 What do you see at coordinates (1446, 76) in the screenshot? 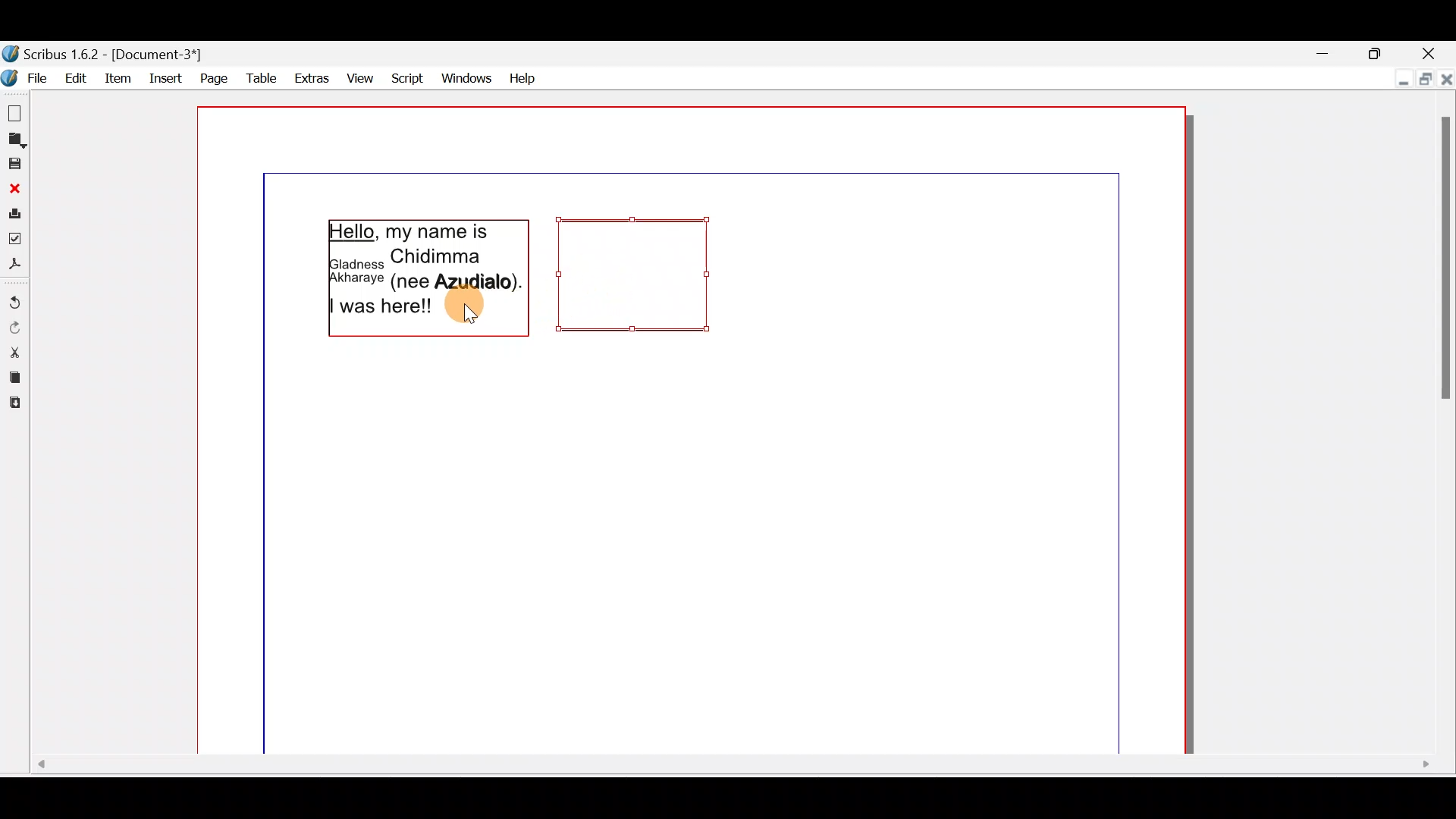
I see `Close` at bounding box center [1446, 76].